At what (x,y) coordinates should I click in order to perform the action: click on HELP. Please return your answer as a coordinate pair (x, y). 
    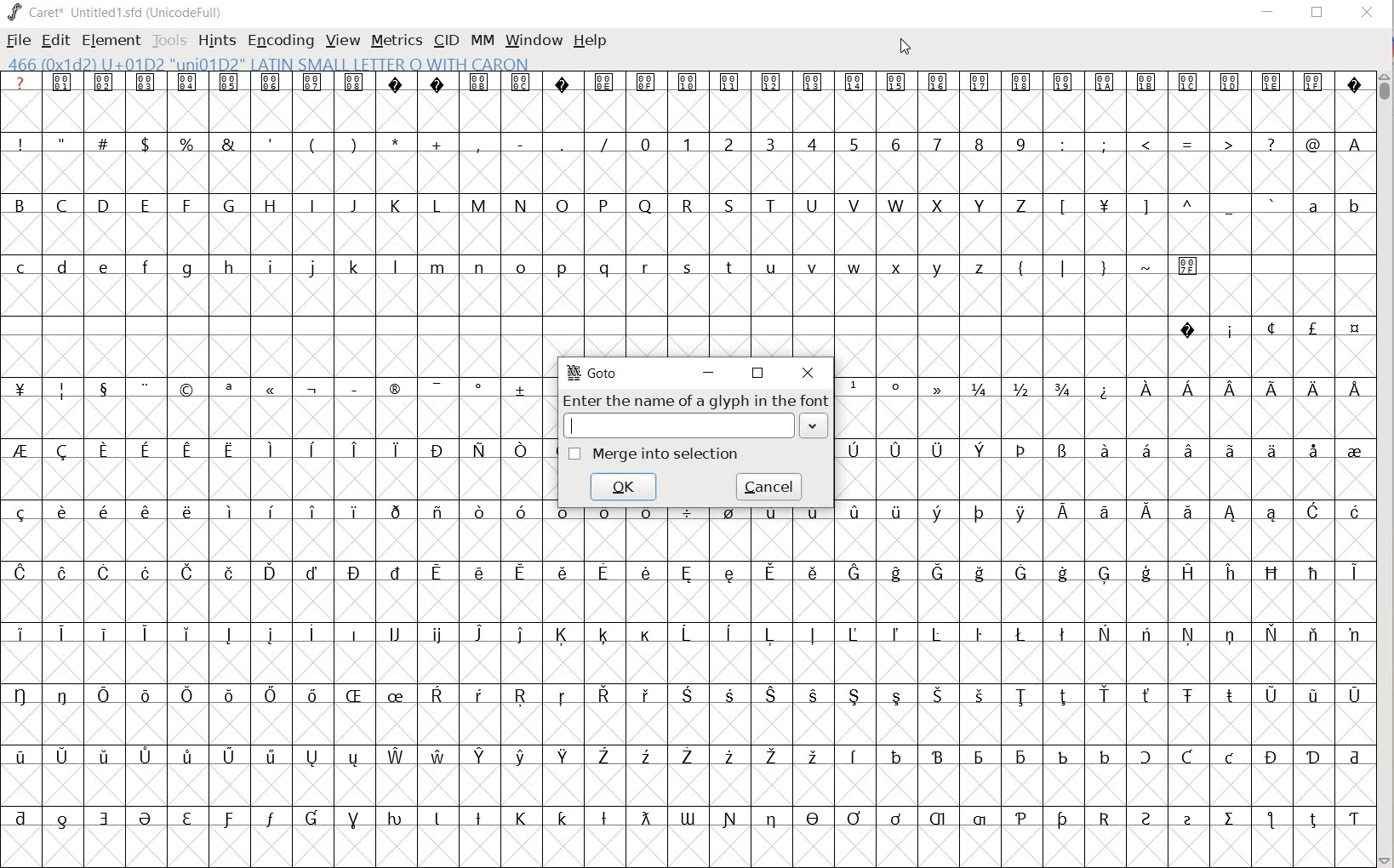
    Looking at the image, I should click on (591, 40).